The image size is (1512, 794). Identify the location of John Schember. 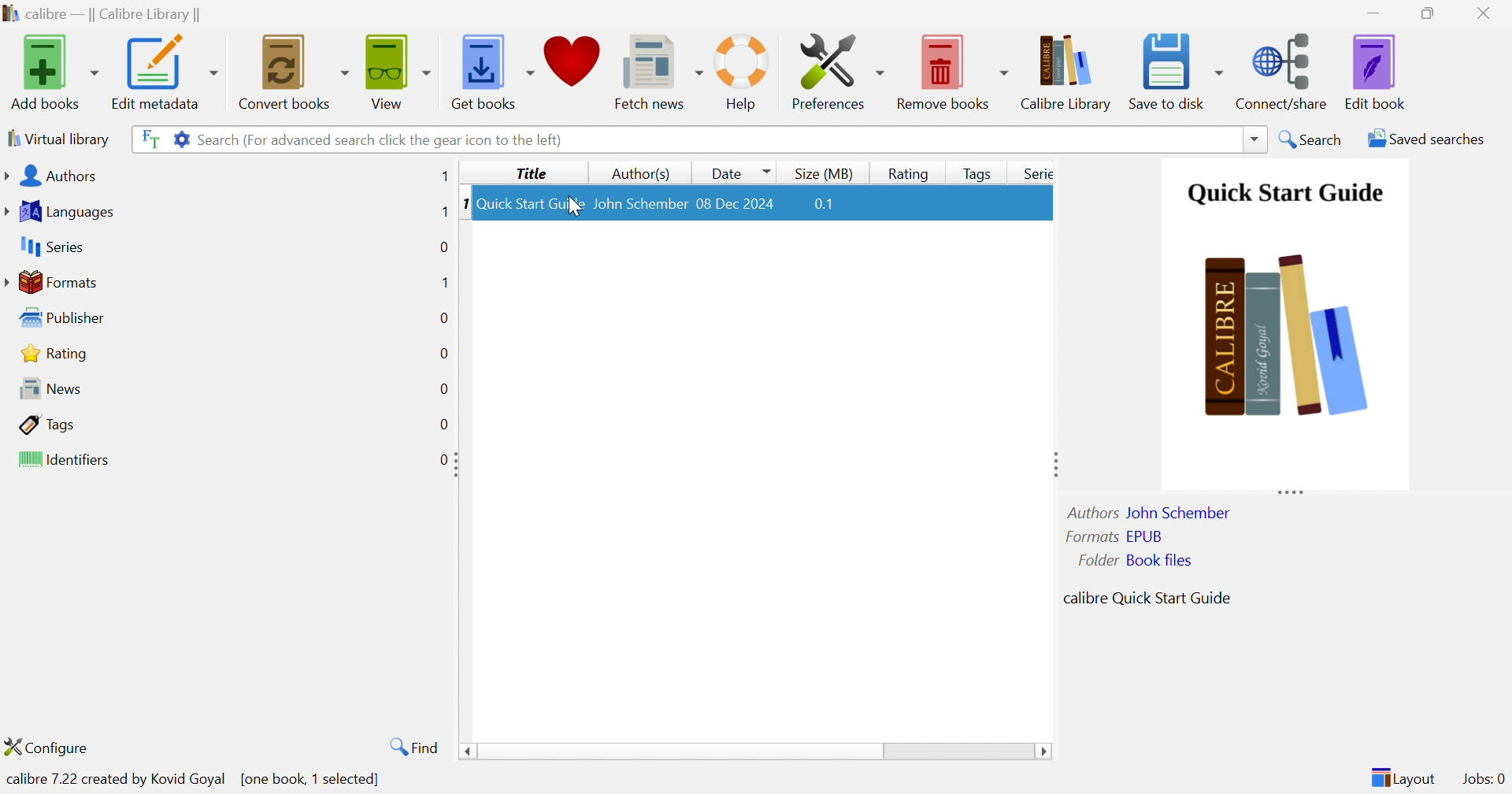
(640, 201).